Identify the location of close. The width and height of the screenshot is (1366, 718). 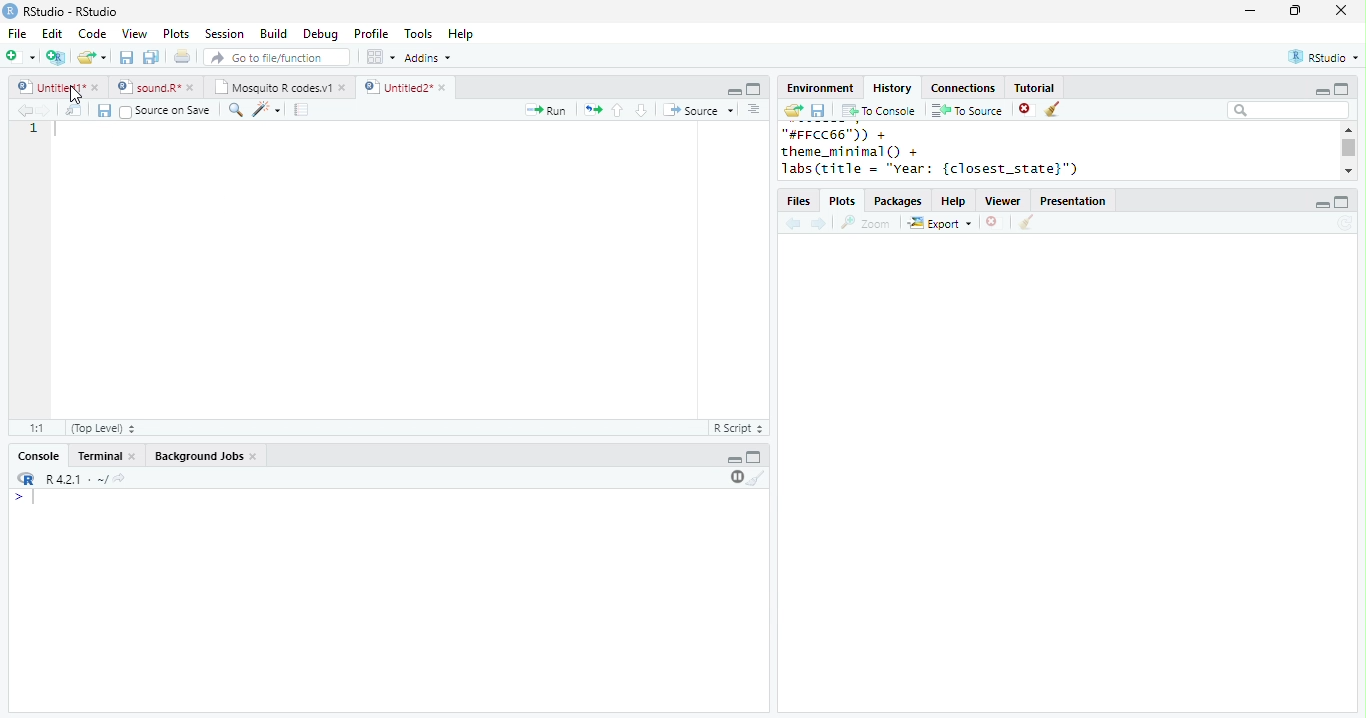
(1342, 10).